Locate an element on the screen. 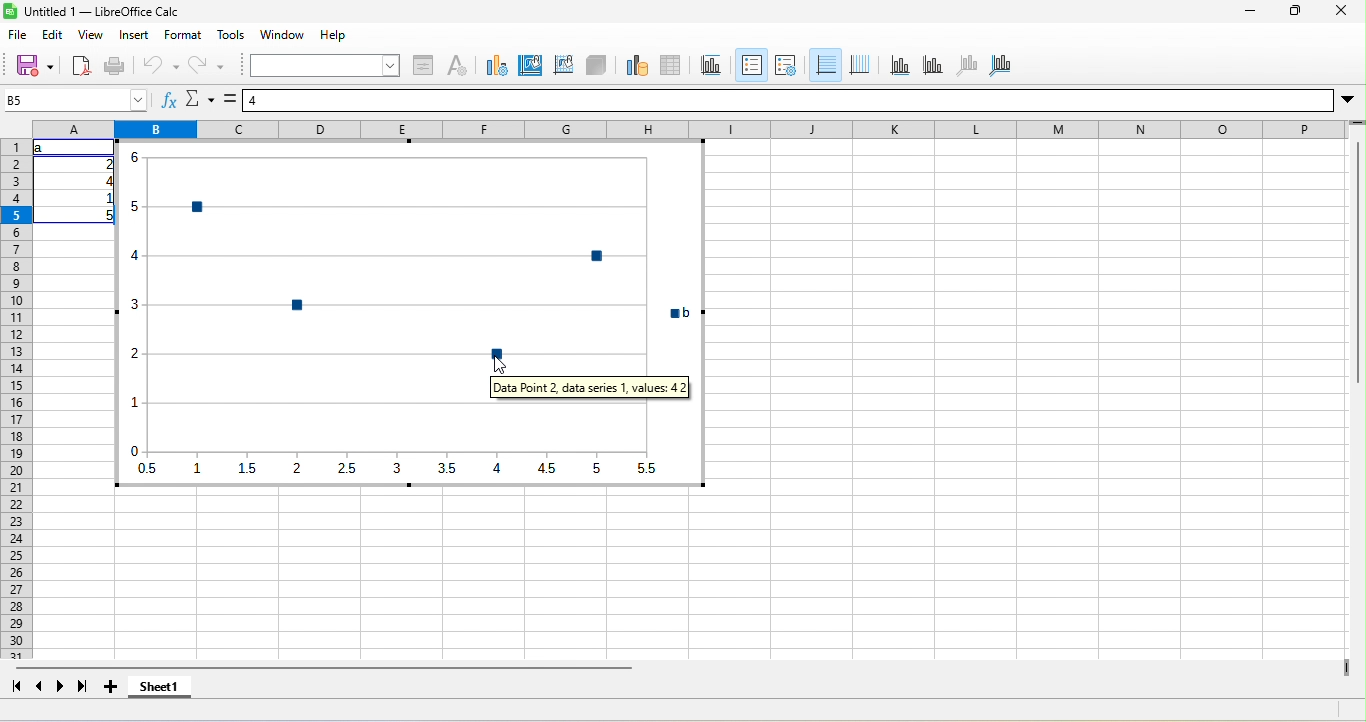  3d view is located at coordinates (596, 67).